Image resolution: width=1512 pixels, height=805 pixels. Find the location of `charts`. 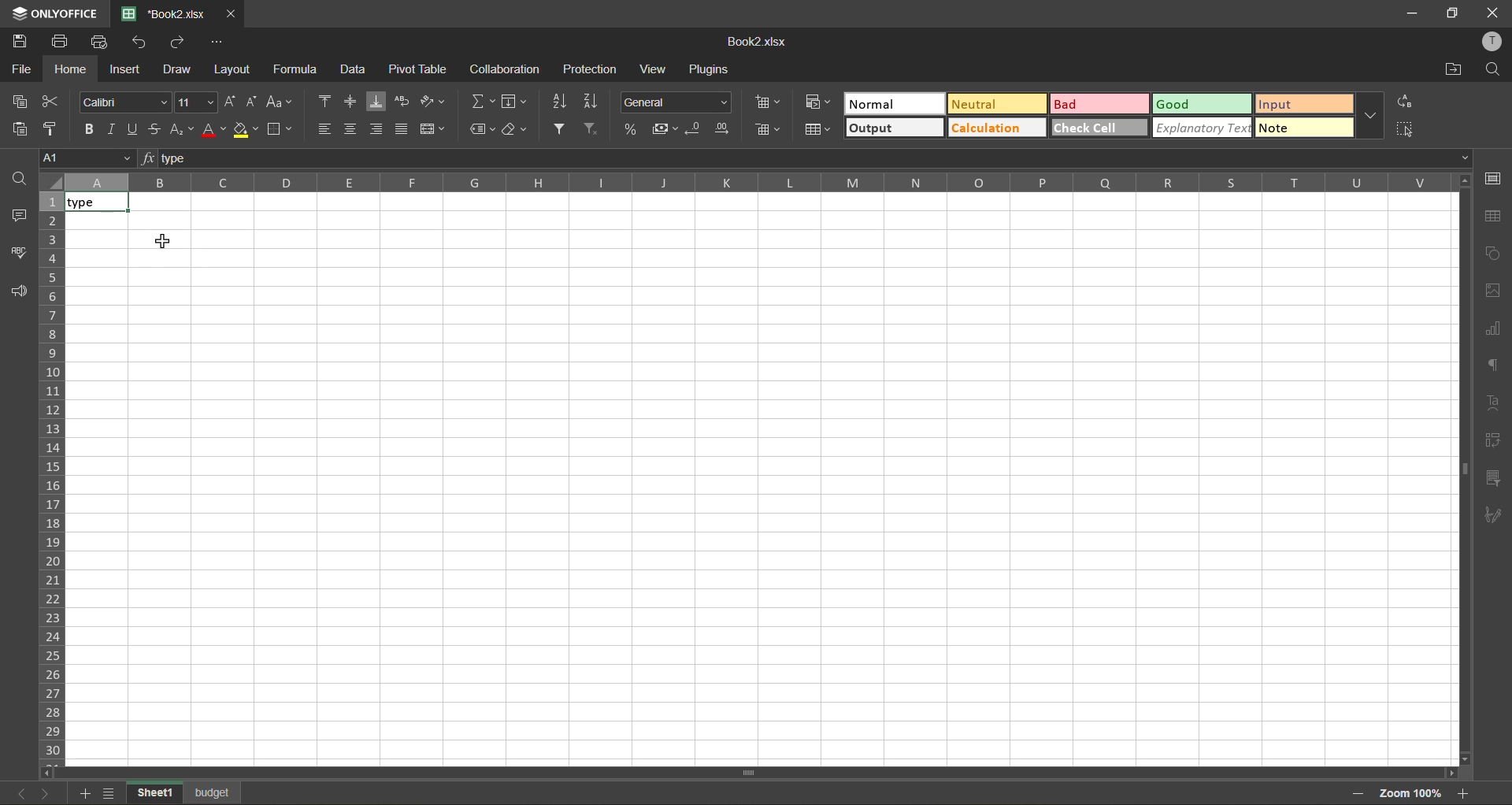

charts is located at coordinates (1494, 327).